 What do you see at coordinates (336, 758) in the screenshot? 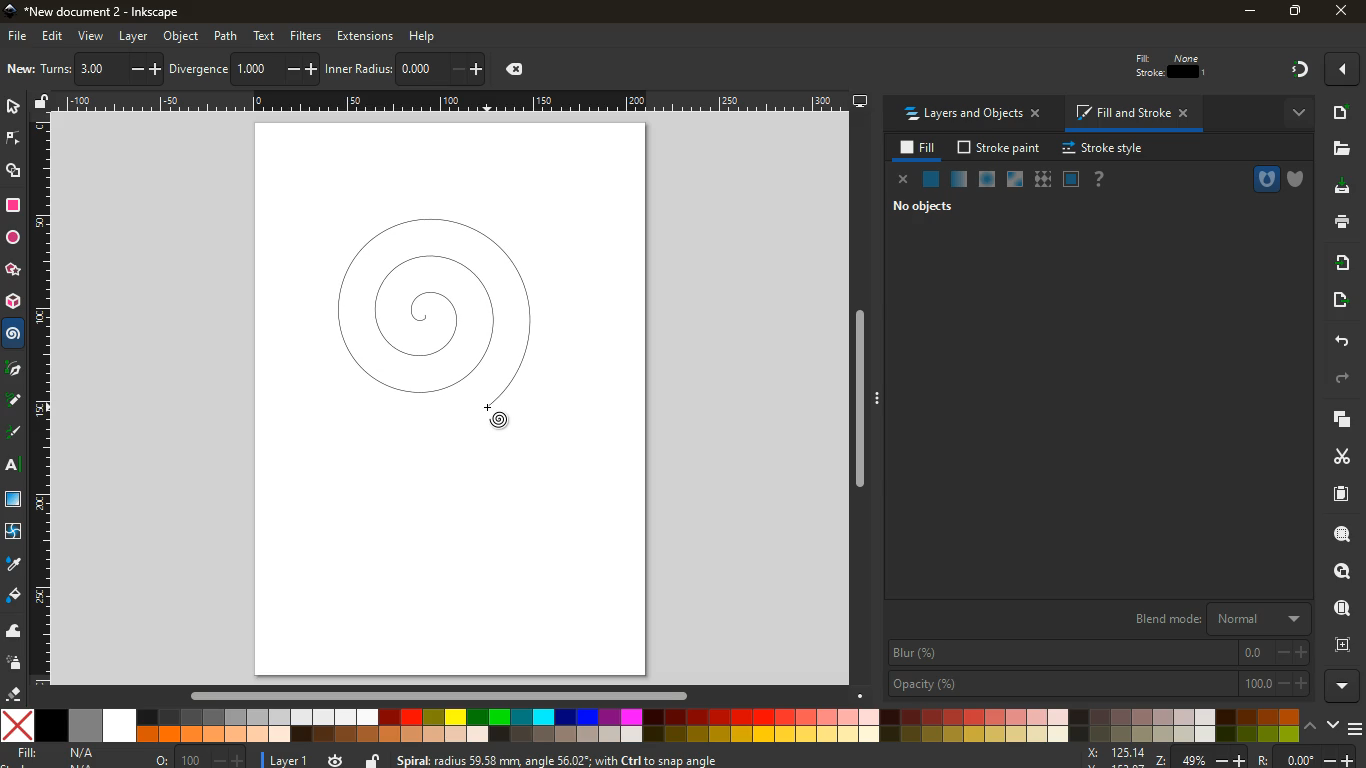
I see `time` at bounding box center [336, 758].